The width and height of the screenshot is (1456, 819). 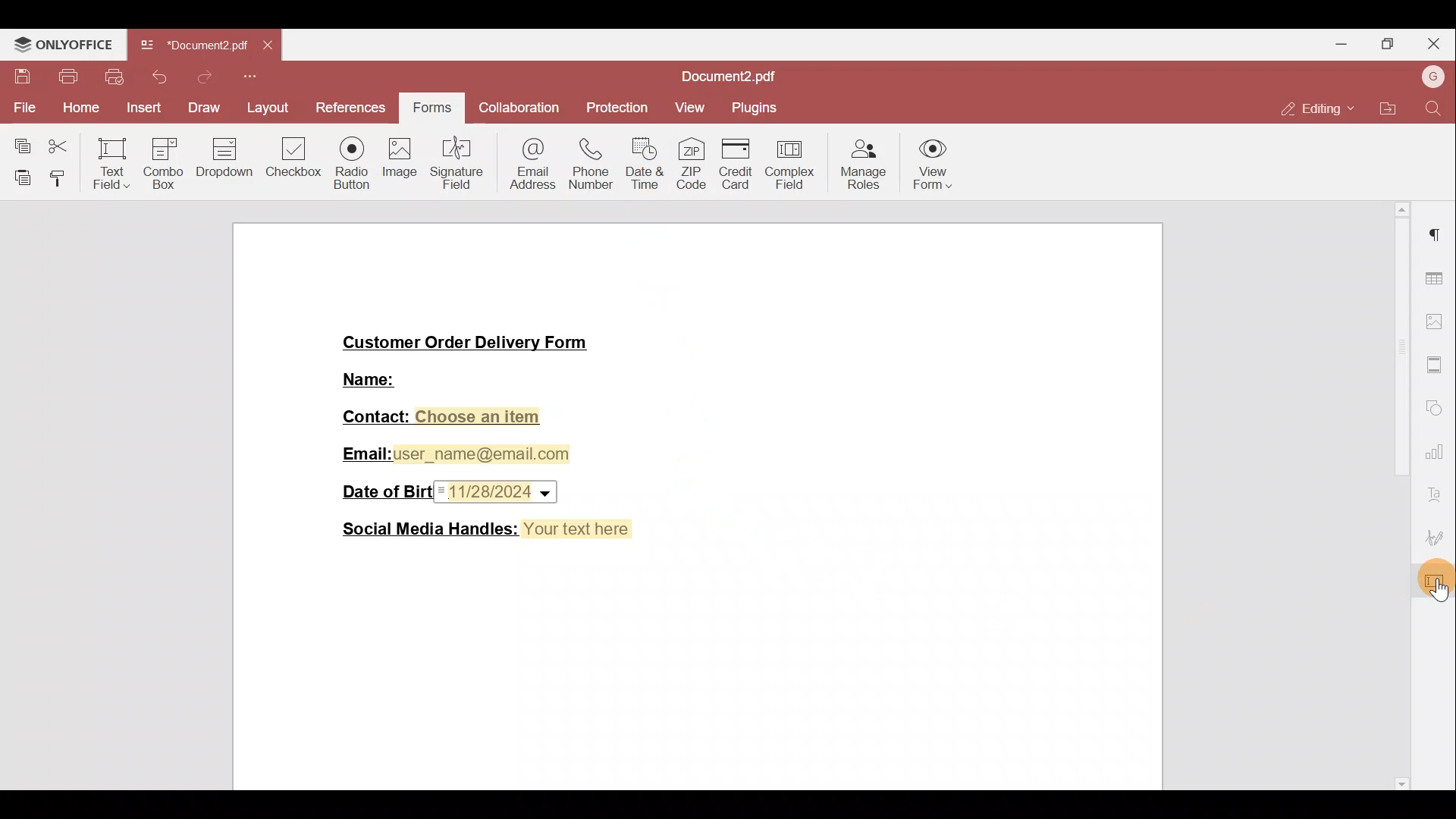 I want to click on Image settings, so click(x=1438, y=324).